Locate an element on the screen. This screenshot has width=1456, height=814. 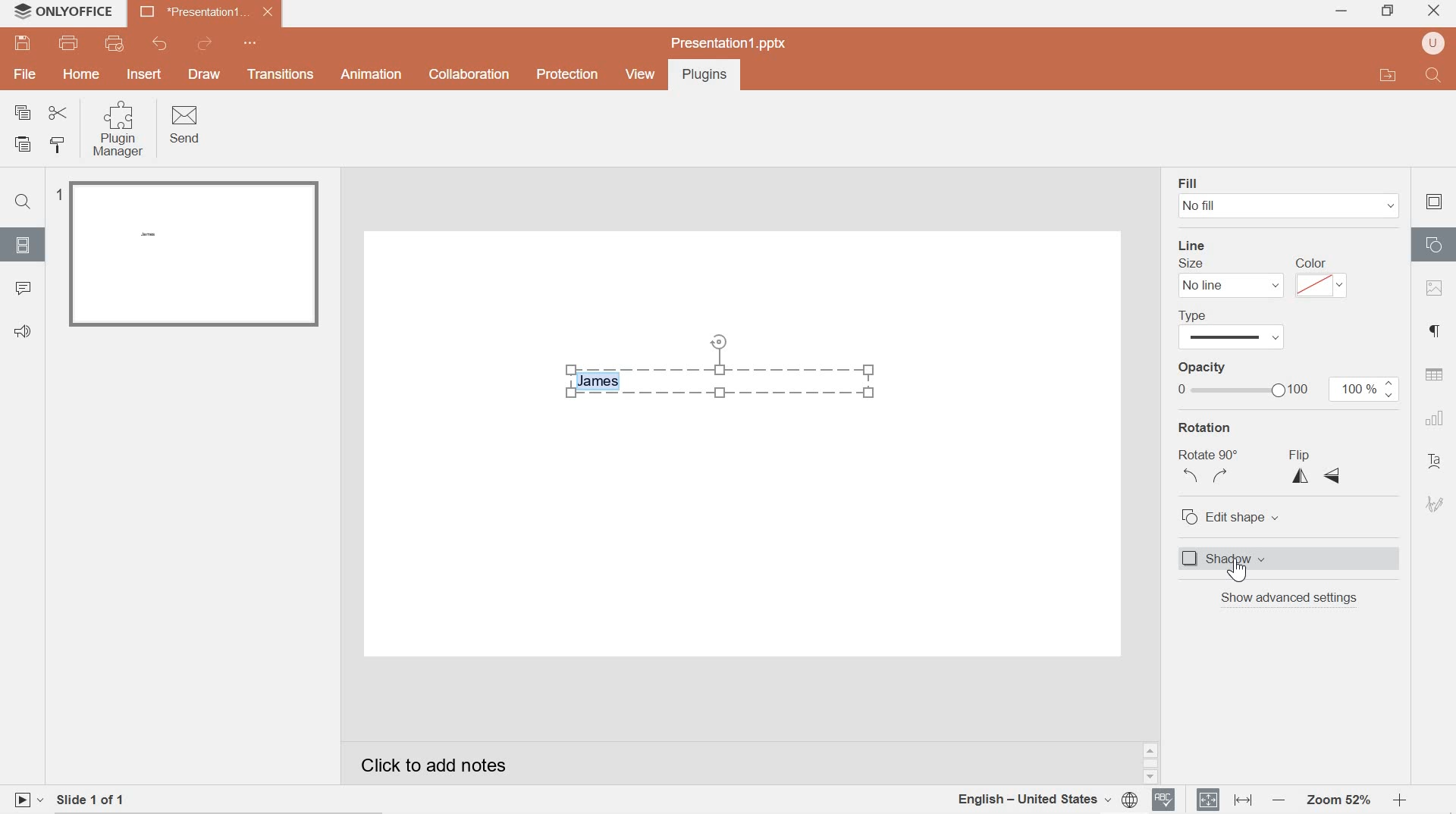
Animation is located at coordinates (372, 74).